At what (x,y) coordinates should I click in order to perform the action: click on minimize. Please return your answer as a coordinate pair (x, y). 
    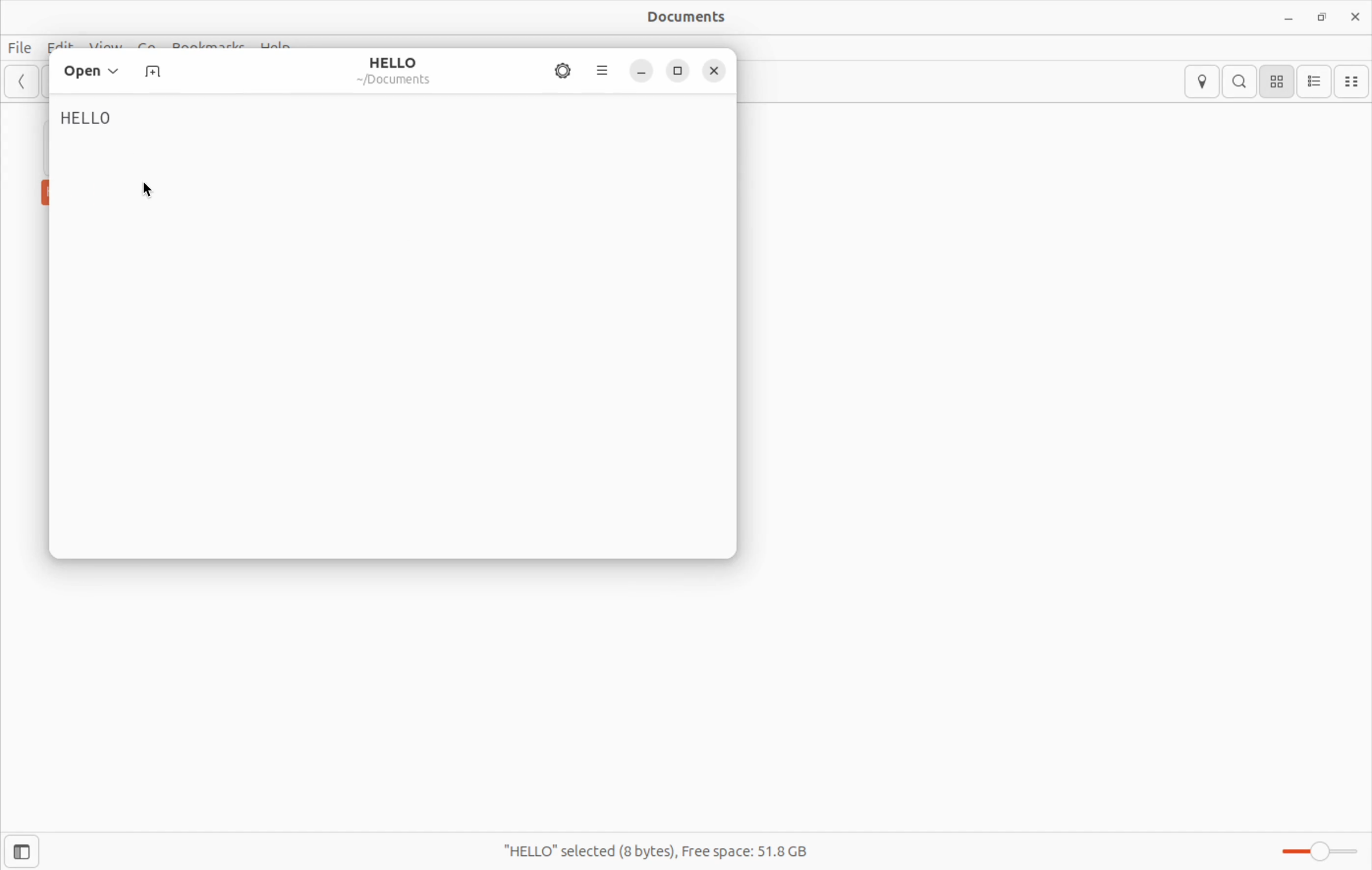
    Looking at the image, I should click on (642, 70).